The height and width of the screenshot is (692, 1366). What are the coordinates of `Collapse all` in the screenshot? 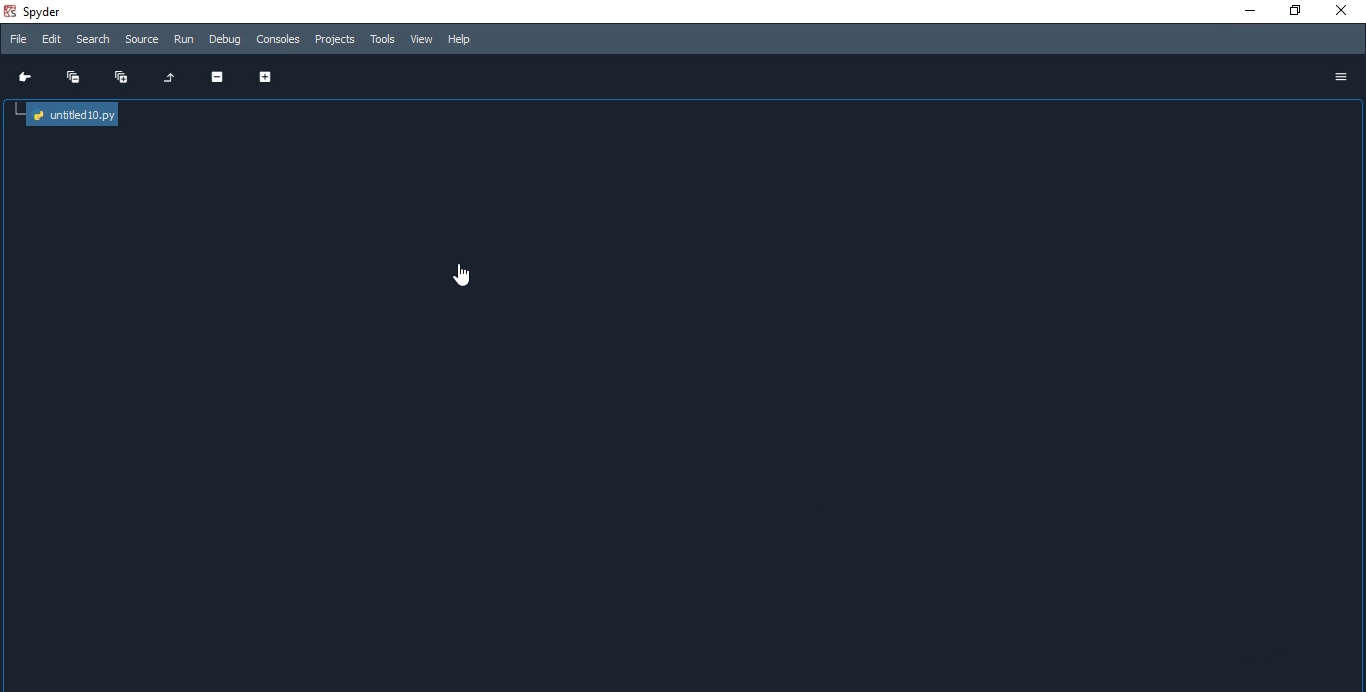 It's located at (68, 77).